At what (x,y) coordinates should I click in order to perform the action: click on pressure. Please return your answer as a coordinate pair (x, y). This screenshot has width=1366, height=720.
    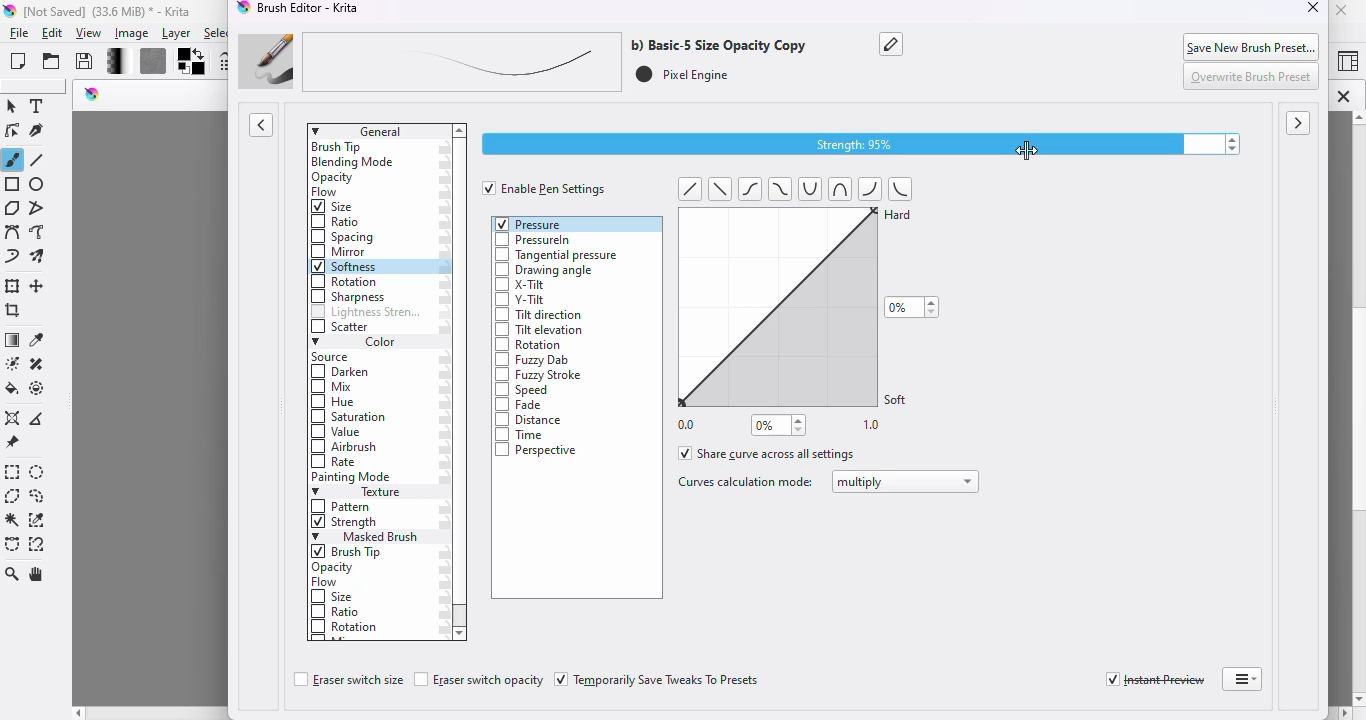
    Looking at the image, I should click on (530, 223).